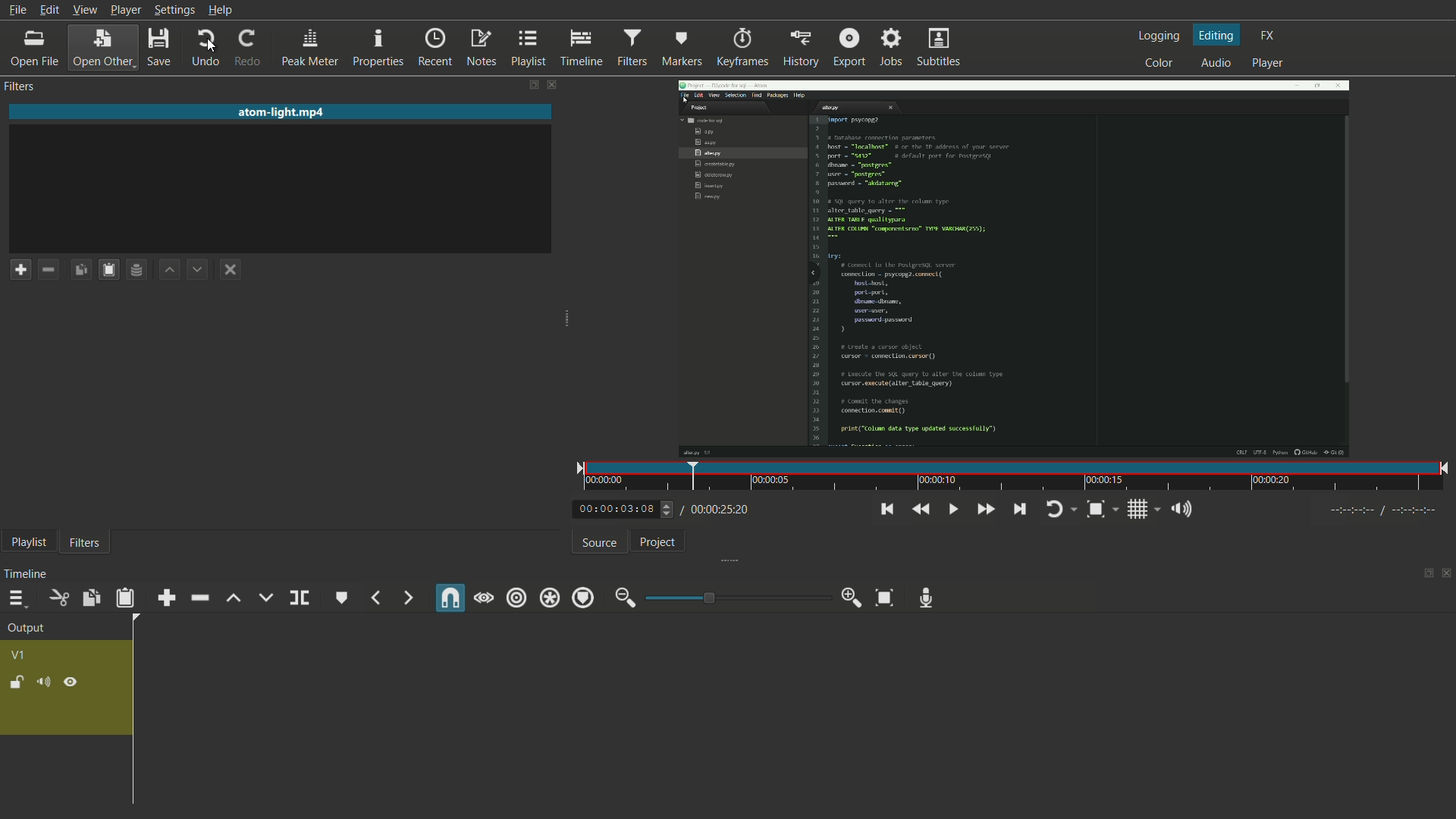 The image size is (1456, 819). I want to click on toggle player looping, so click(1056, 510).